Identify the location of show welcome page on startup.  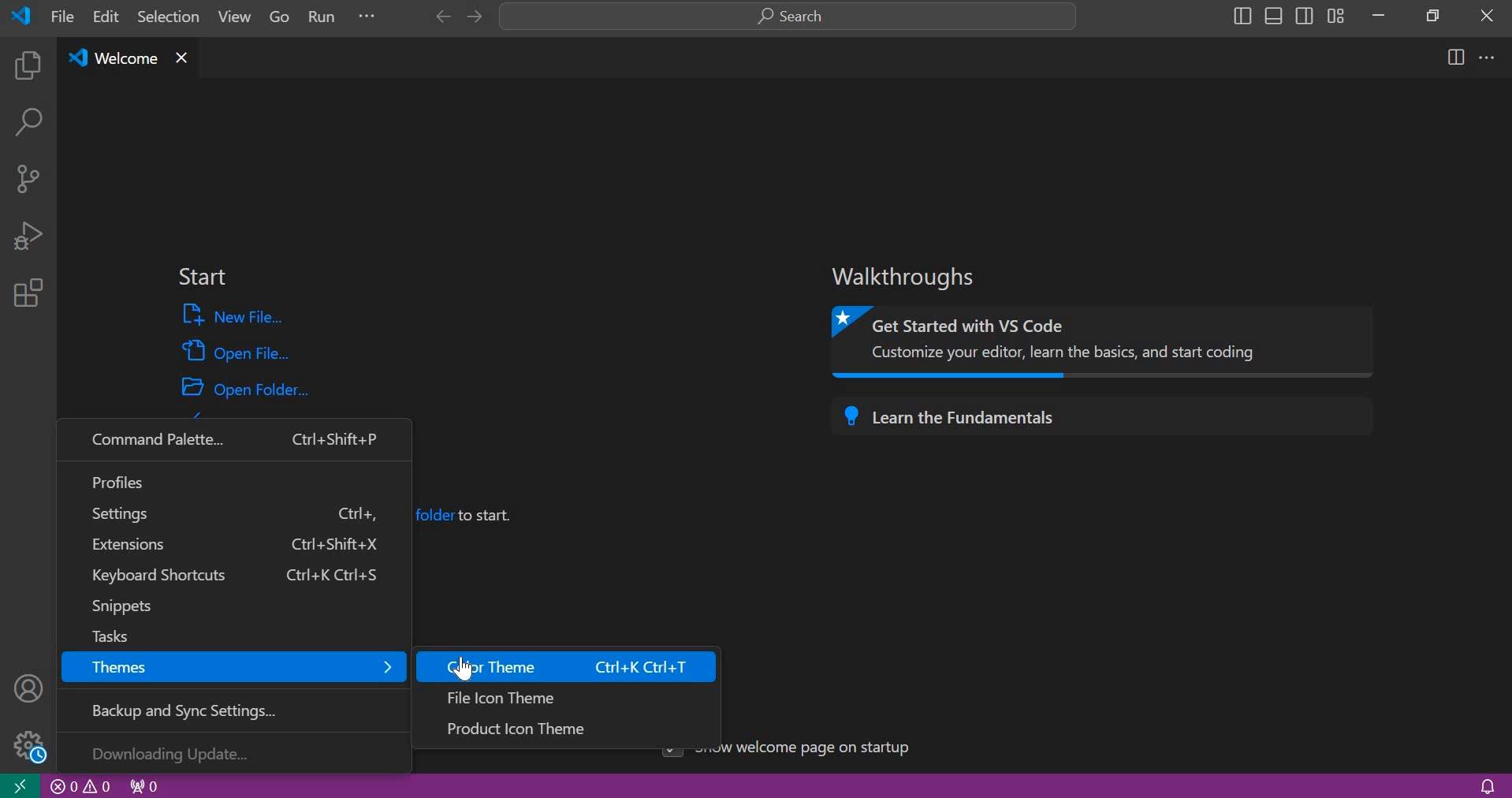
(821, 748).